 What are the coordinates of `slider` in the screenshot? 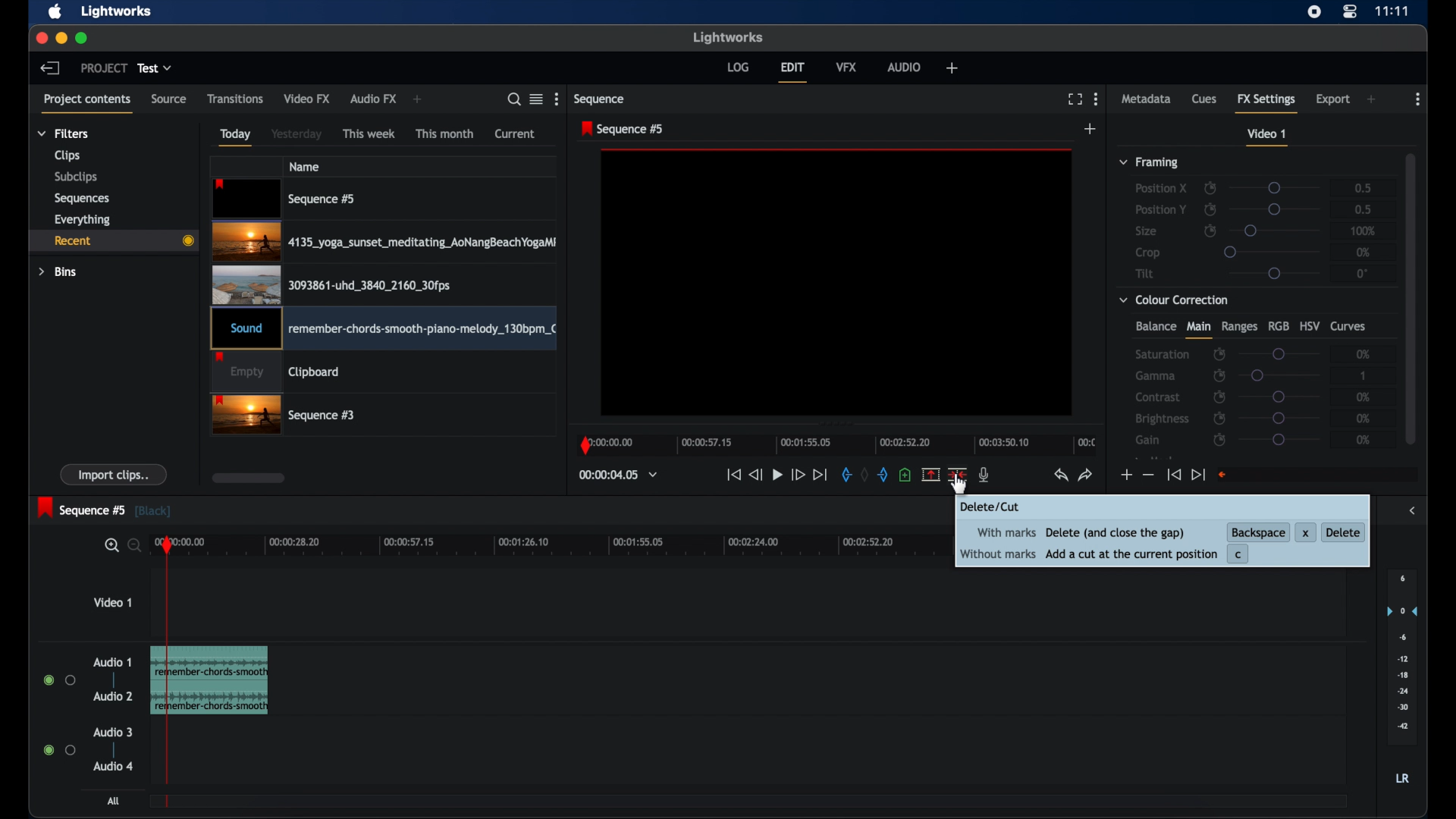 It's located at (1279, 440).